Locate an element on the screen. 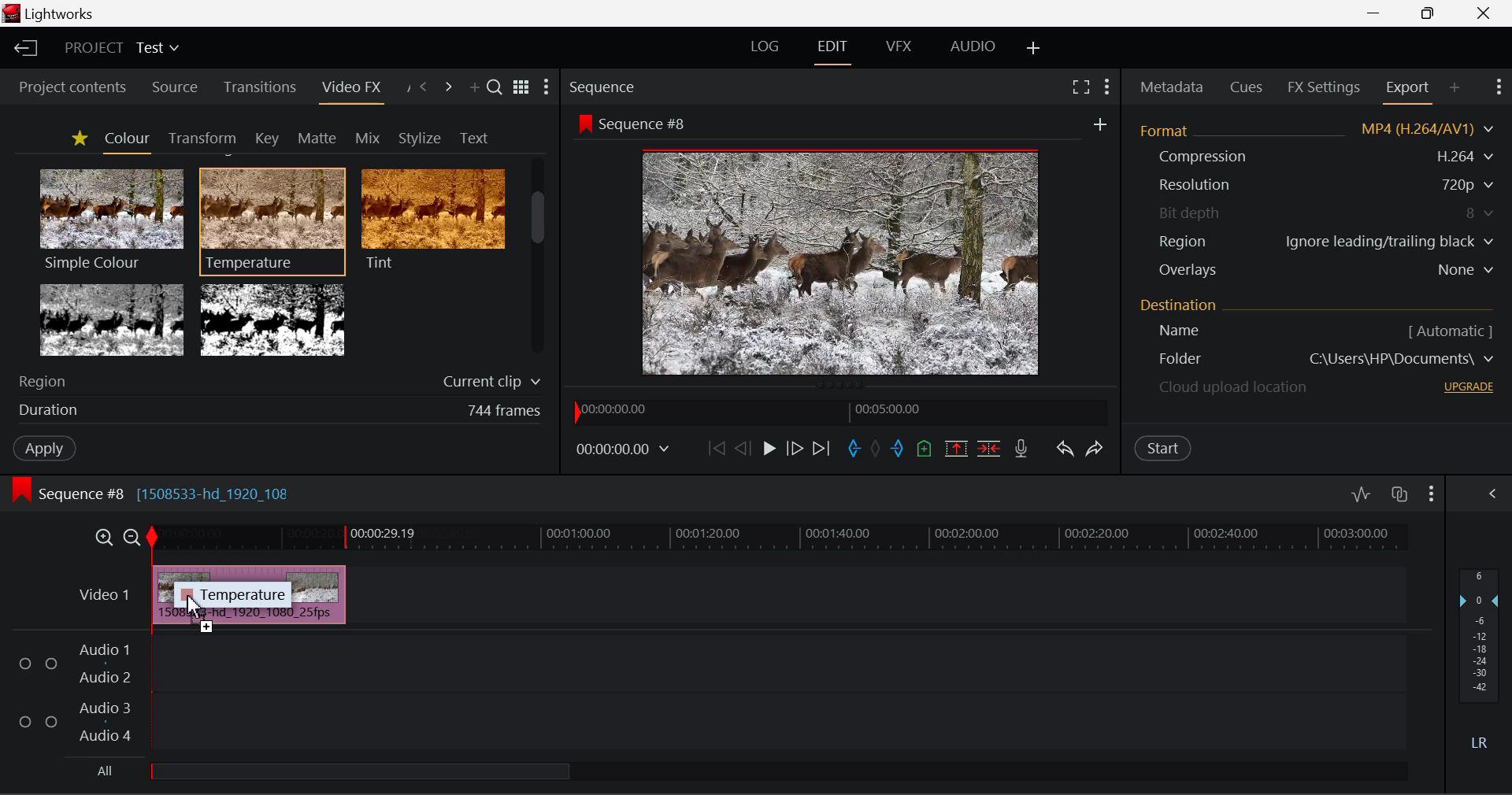 The height and width of the screenshot is (795, 1512). Project contents is located at coordinates (65, 89).